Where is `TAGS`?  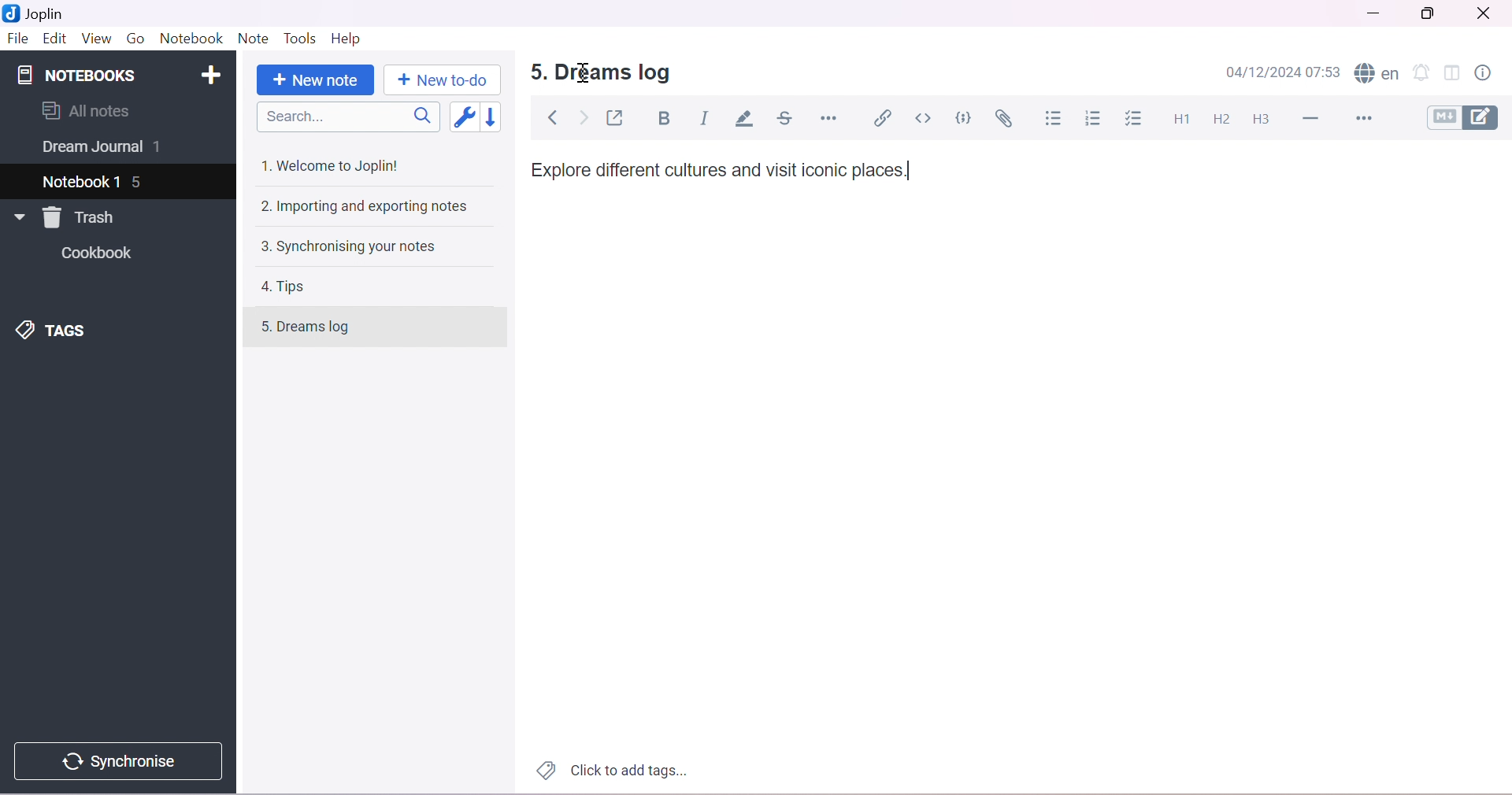 TAGS is located at coordinates (58, 329).